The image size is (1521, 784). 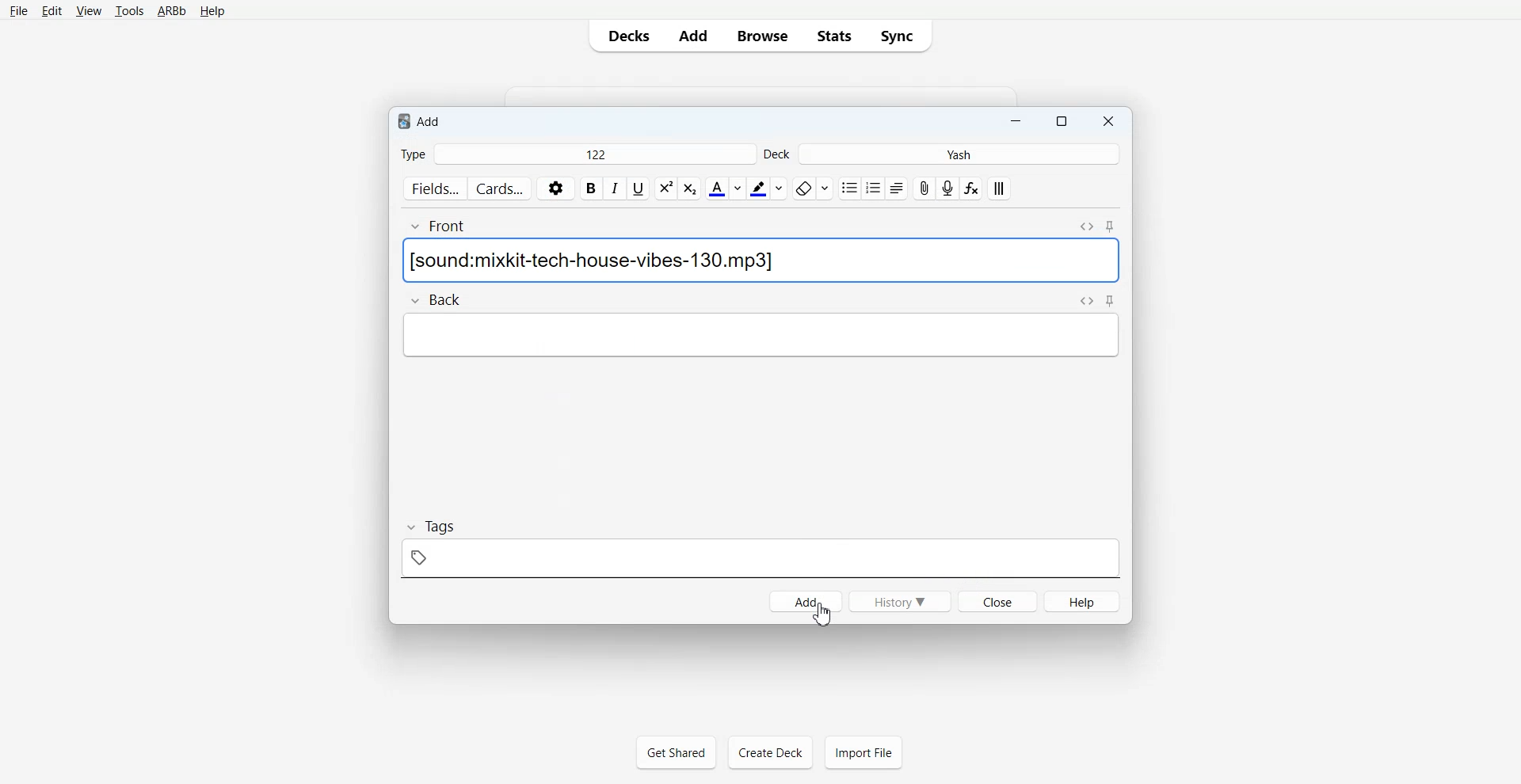 I want to click on Edit, so click(x=51, y=11).